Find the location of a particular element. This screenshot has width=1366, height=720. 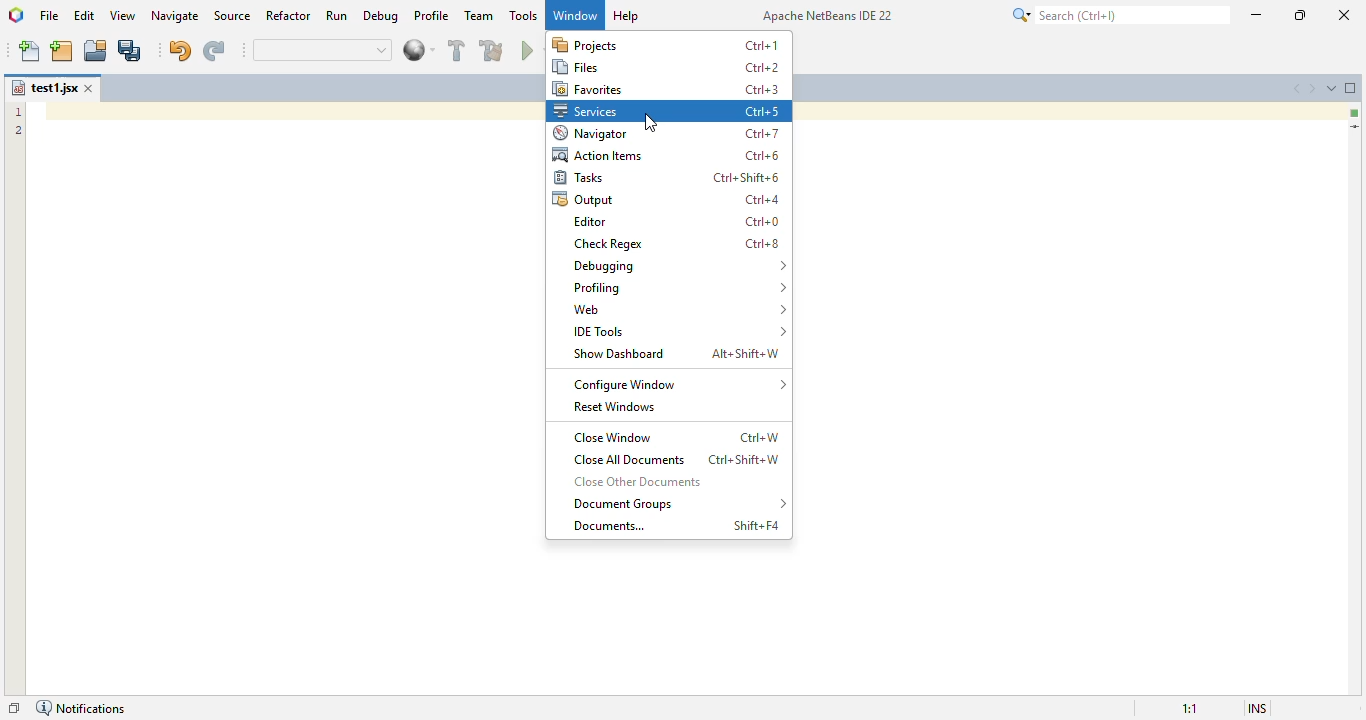

navigate is located at coordinates (175, 15).